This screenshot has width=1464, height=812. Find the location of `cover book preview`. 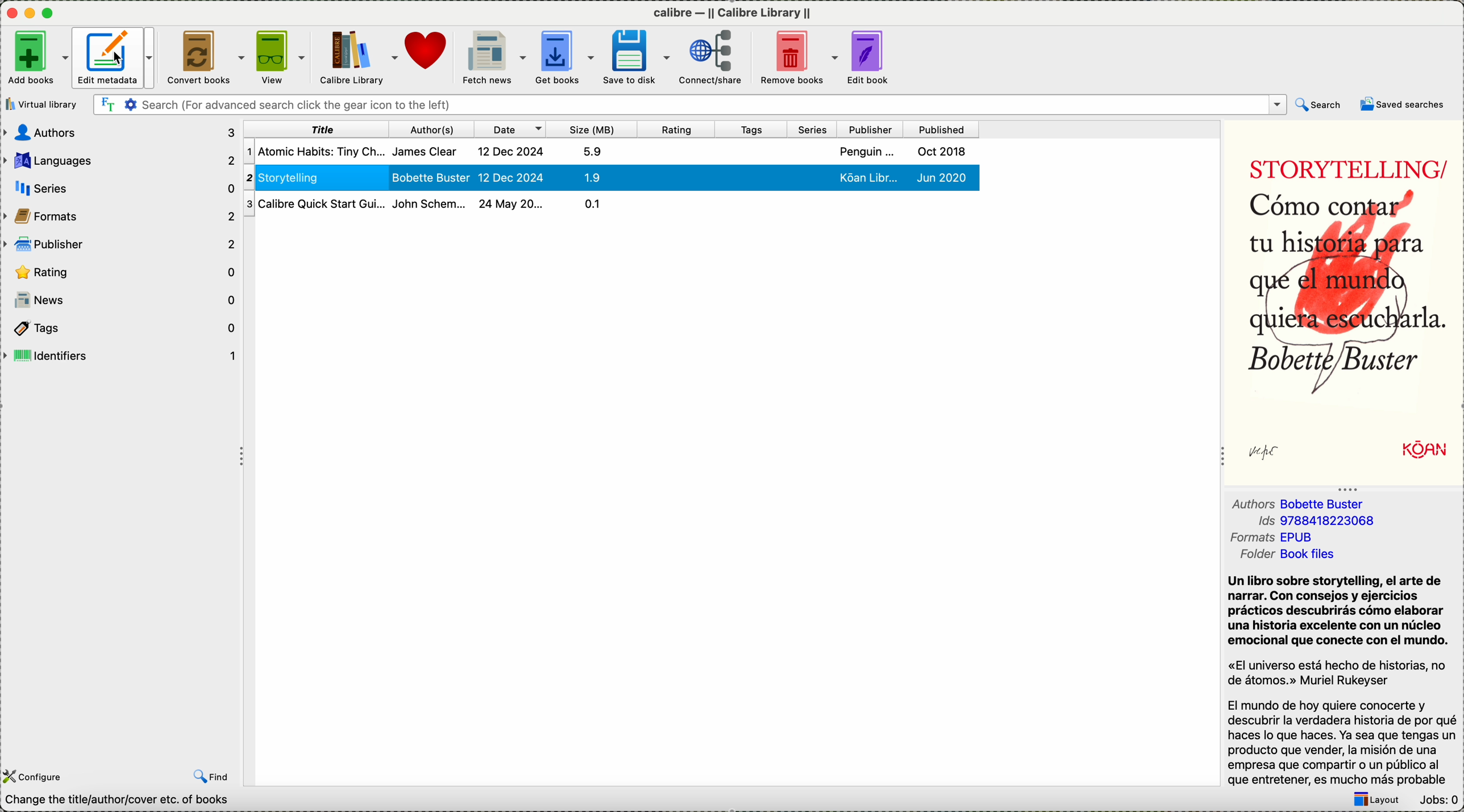

cover book preview is located at coordinates (1344, 302).